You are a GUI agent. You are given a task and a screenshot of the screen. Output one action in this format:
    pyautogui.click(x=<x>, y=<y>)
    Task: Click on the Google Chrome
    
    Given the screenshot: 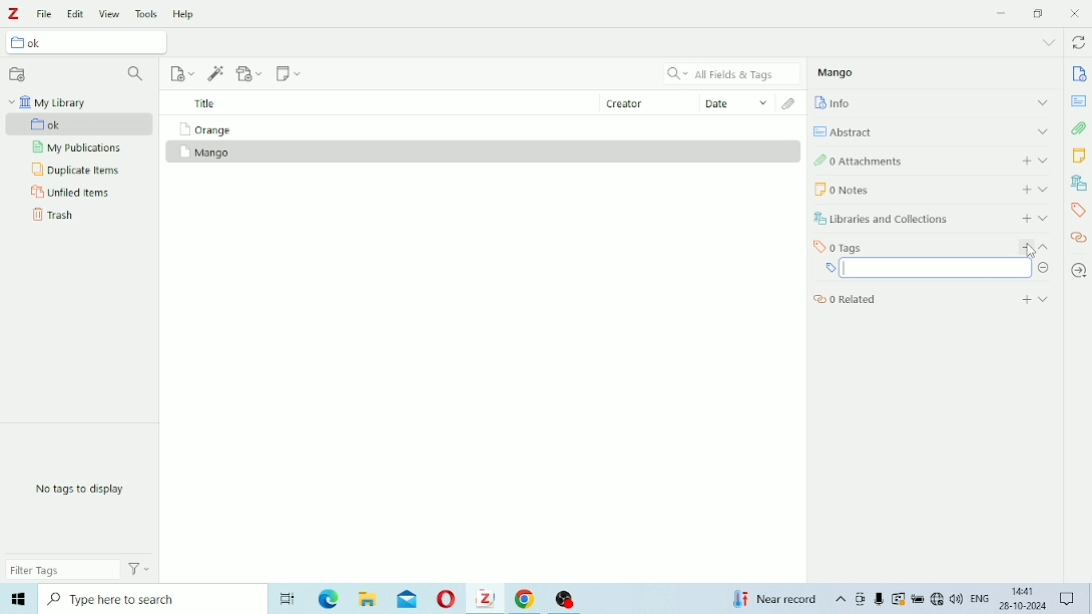 What is the action you would take?
    pyautogui.click(x=526, y=598)
    